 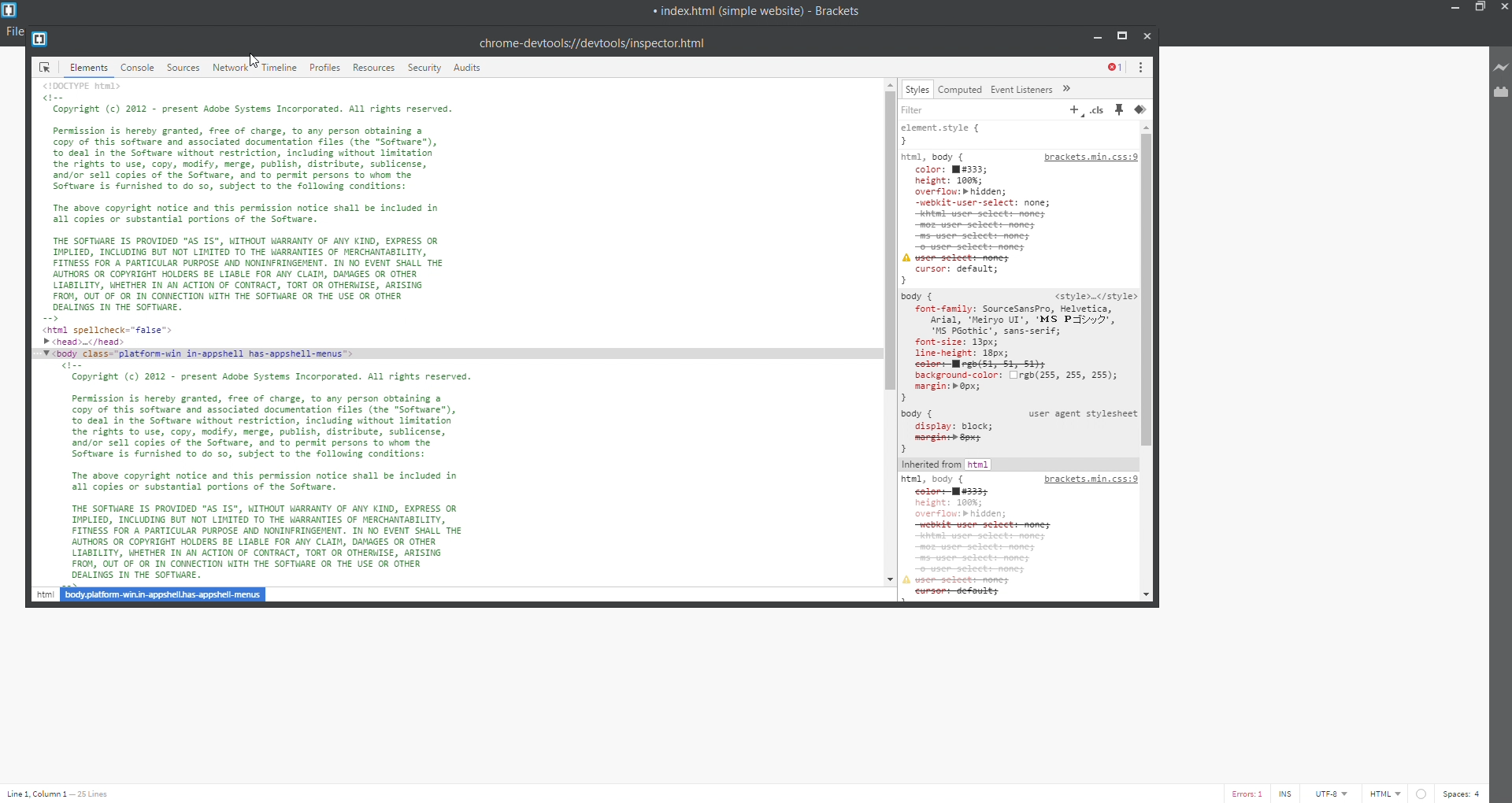 I want to click on scroll bar, so click(x=886, y=331).